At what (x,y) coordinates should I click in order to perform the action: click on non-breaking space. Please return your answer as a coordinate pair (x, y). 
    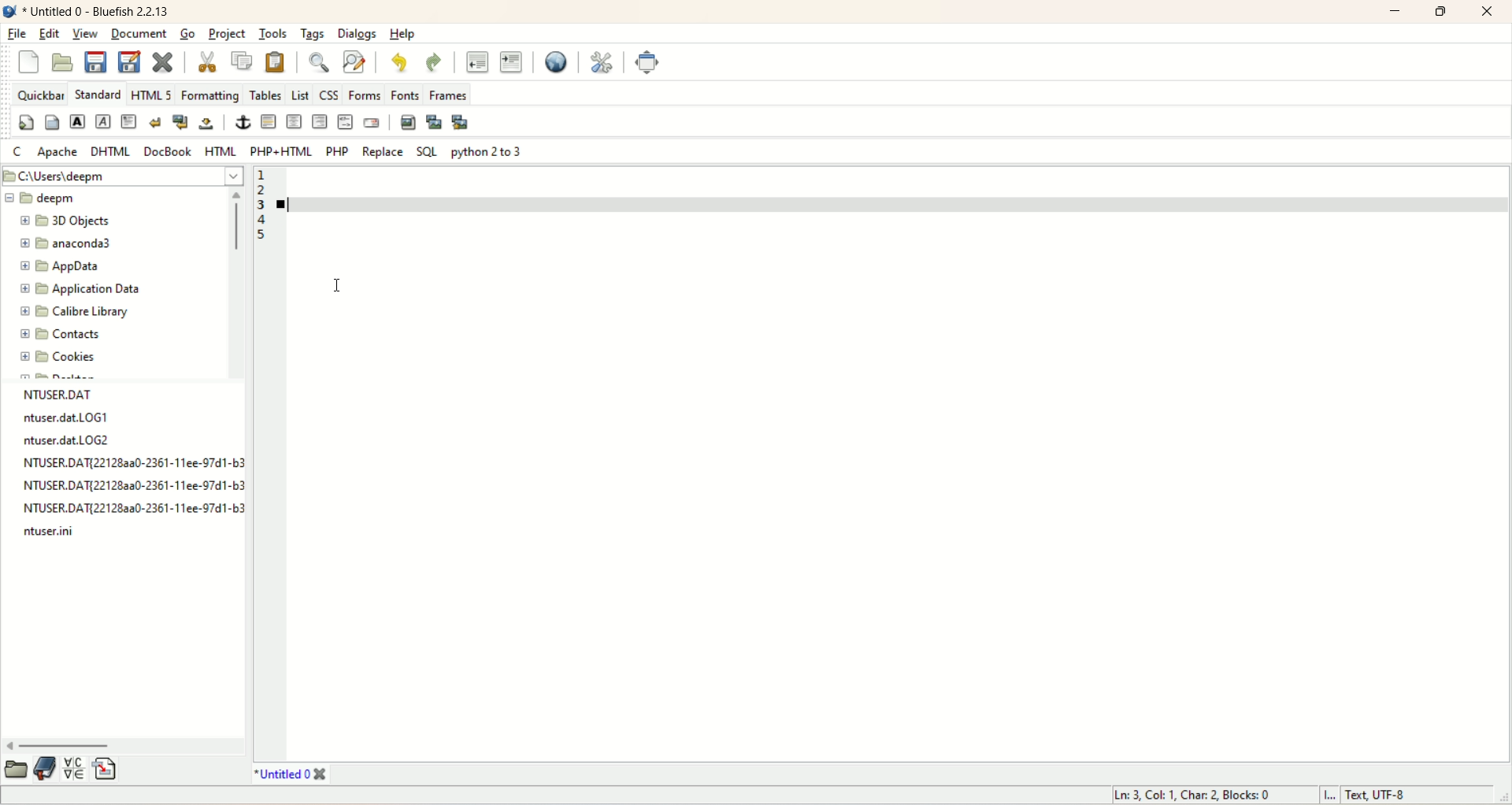
    Looking at the image, I should click on (208, 125).